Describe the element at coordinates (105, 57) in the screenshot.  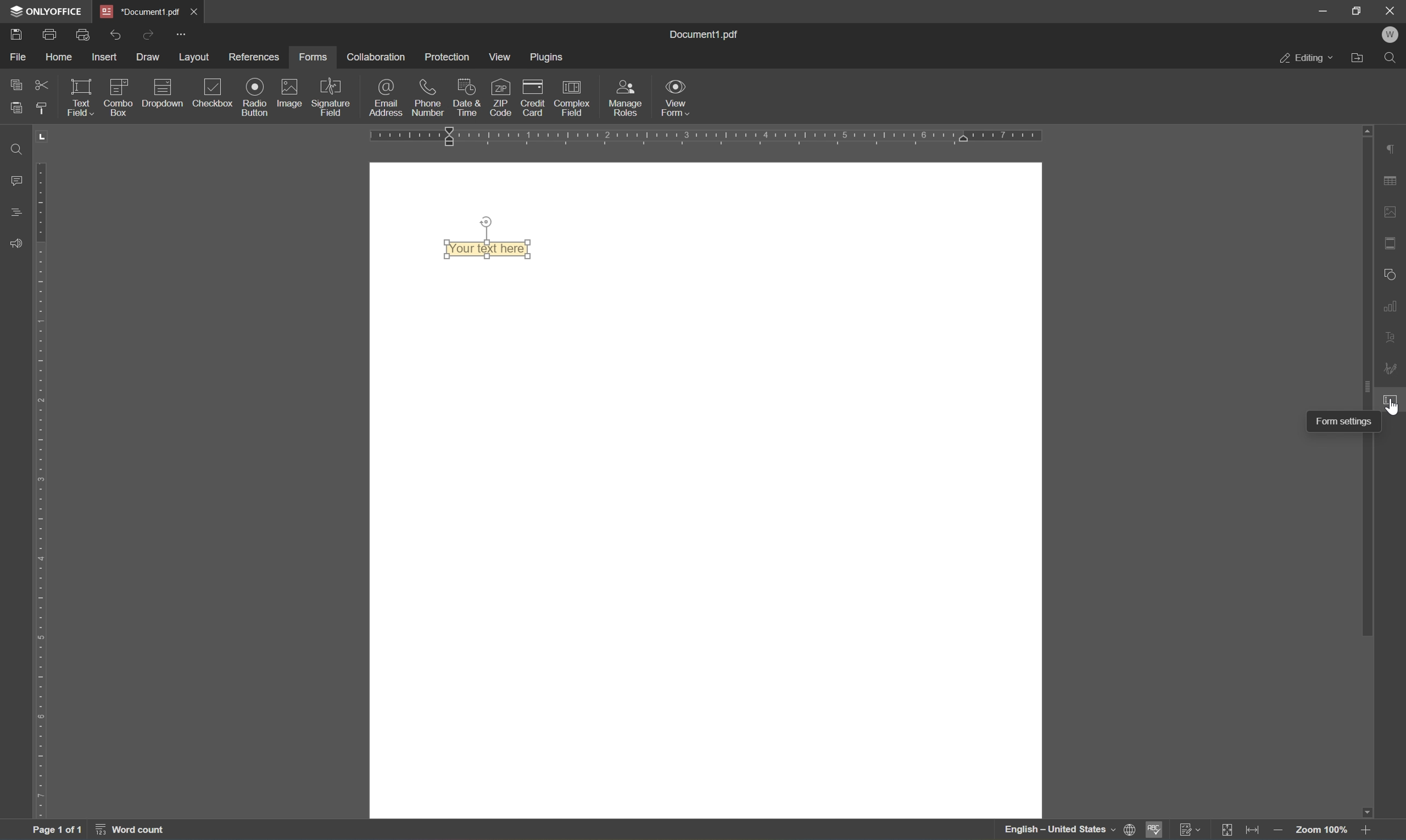
I see `insert` at that location.